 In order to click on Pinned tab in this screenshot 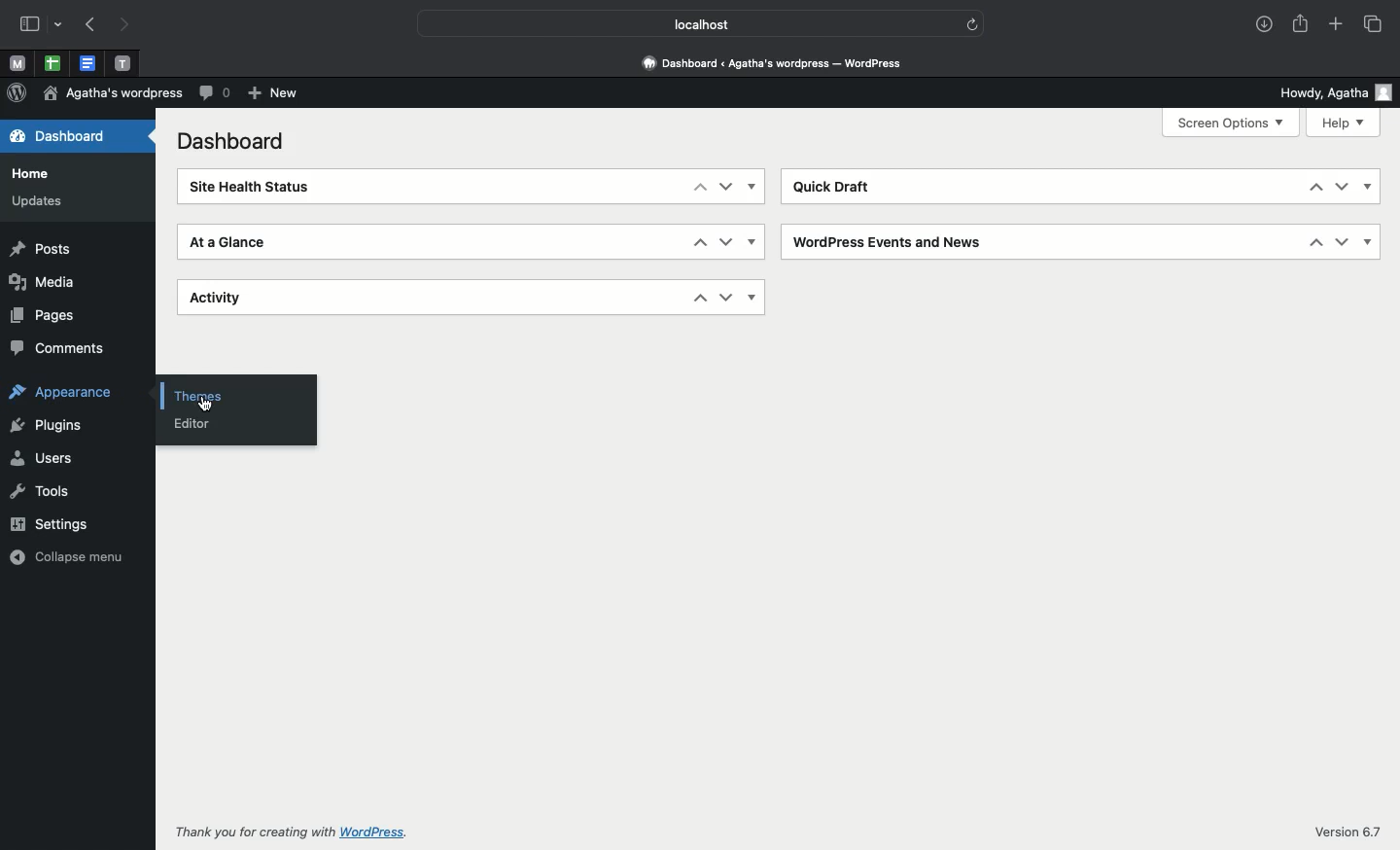, I will do `click(123, 64)`.